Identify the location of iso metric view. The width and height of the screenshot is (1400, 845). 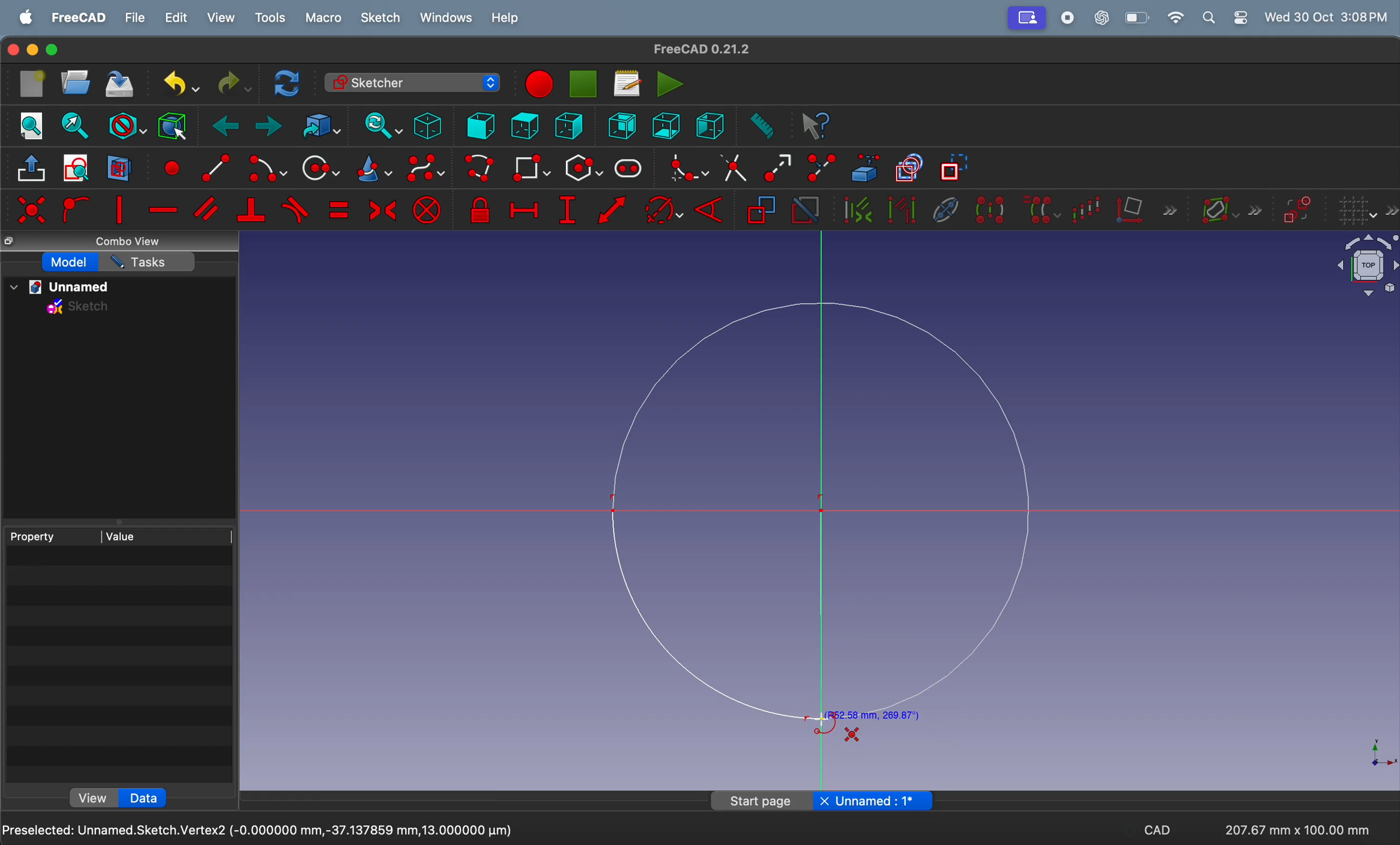
(427, 126).